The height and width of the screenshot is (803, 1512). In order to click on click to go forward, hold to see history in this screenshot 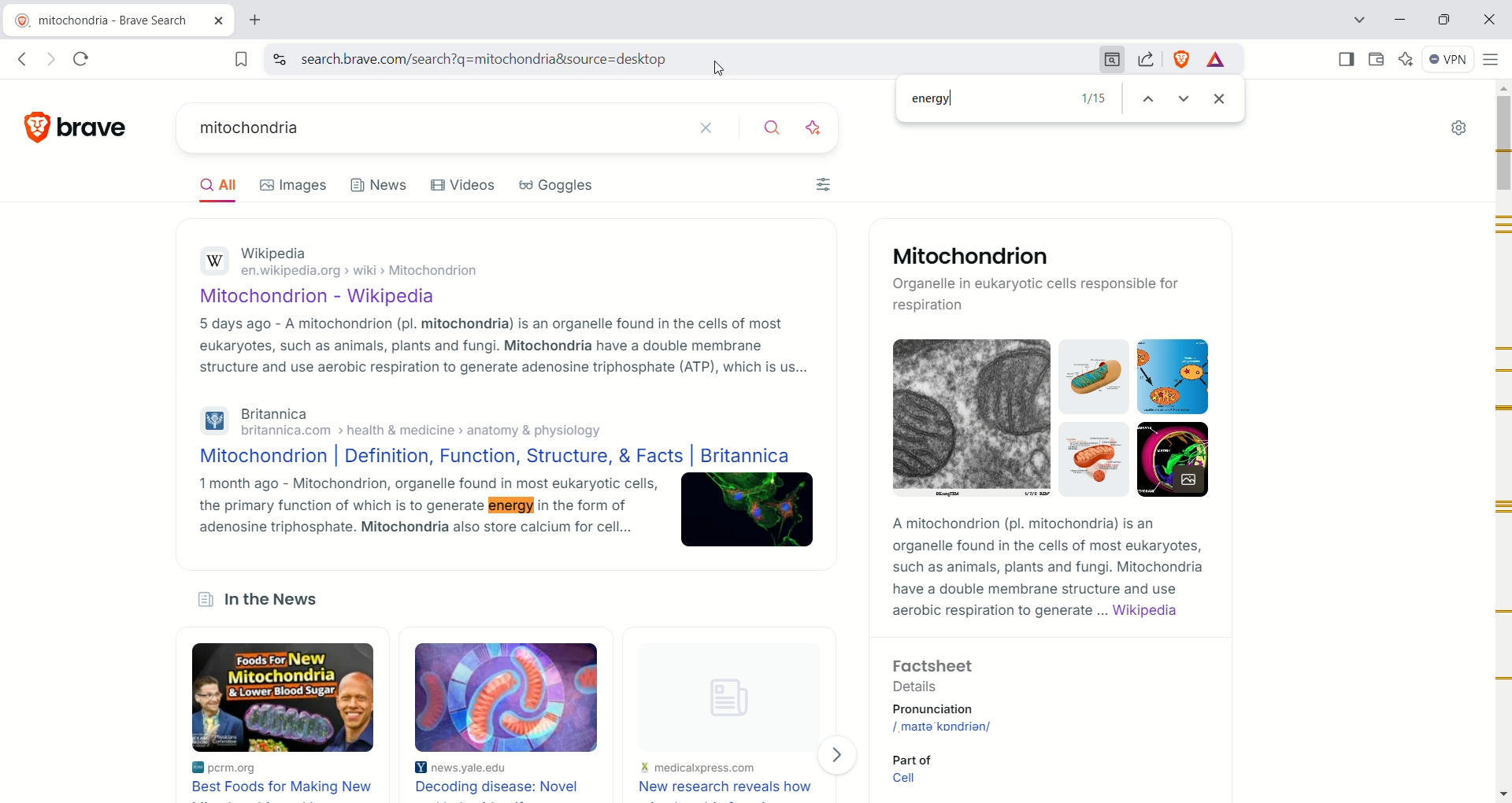, I will do `click(51, 58)`.